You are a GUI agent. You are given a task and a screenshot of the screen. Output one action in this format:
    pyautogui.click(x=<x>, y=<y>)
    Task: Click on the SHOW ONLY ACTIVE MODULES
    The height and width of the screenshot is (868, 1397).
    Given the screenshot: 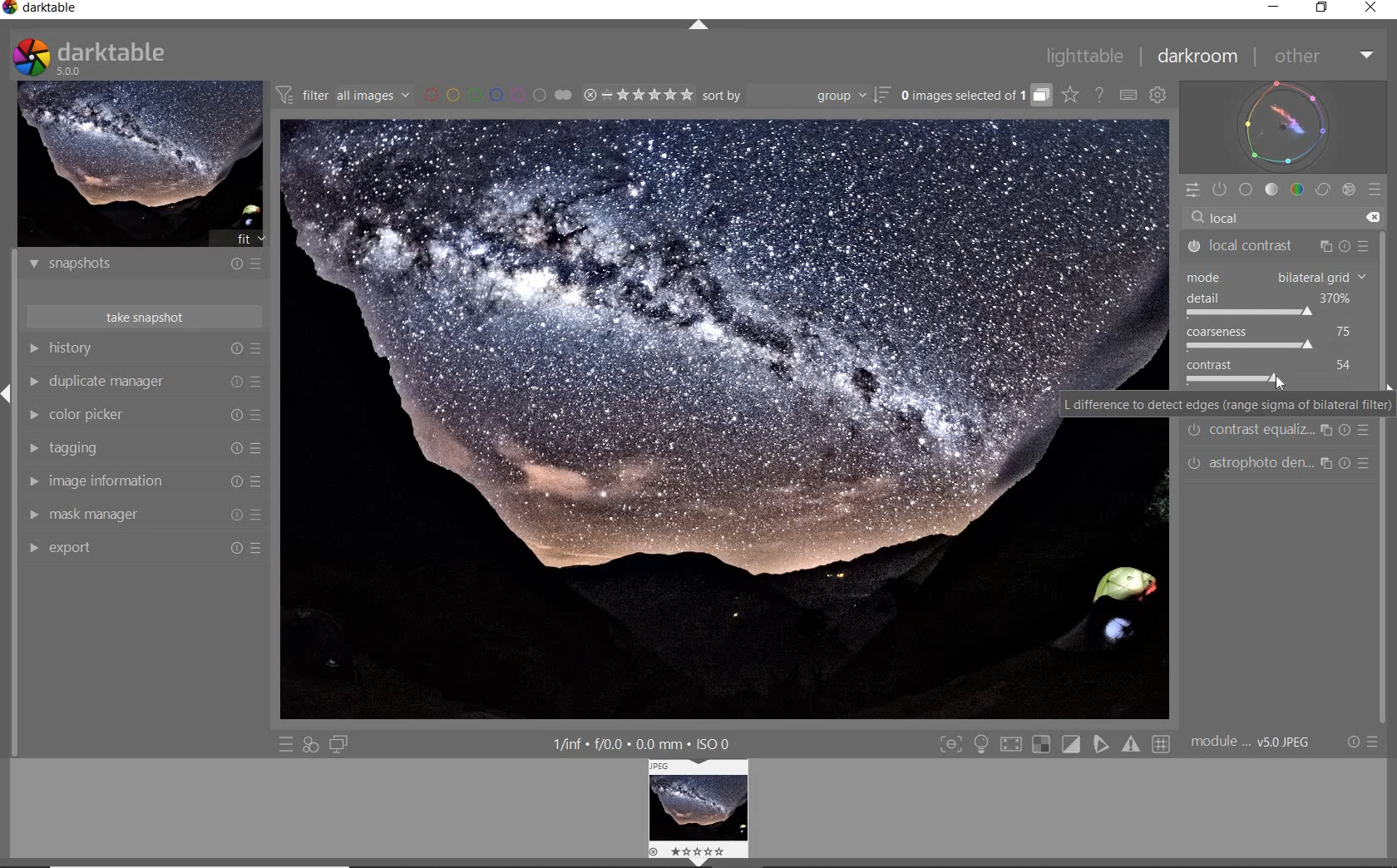 What is the action you would take?
    pyautogui.click(x=1220, y=189)
    